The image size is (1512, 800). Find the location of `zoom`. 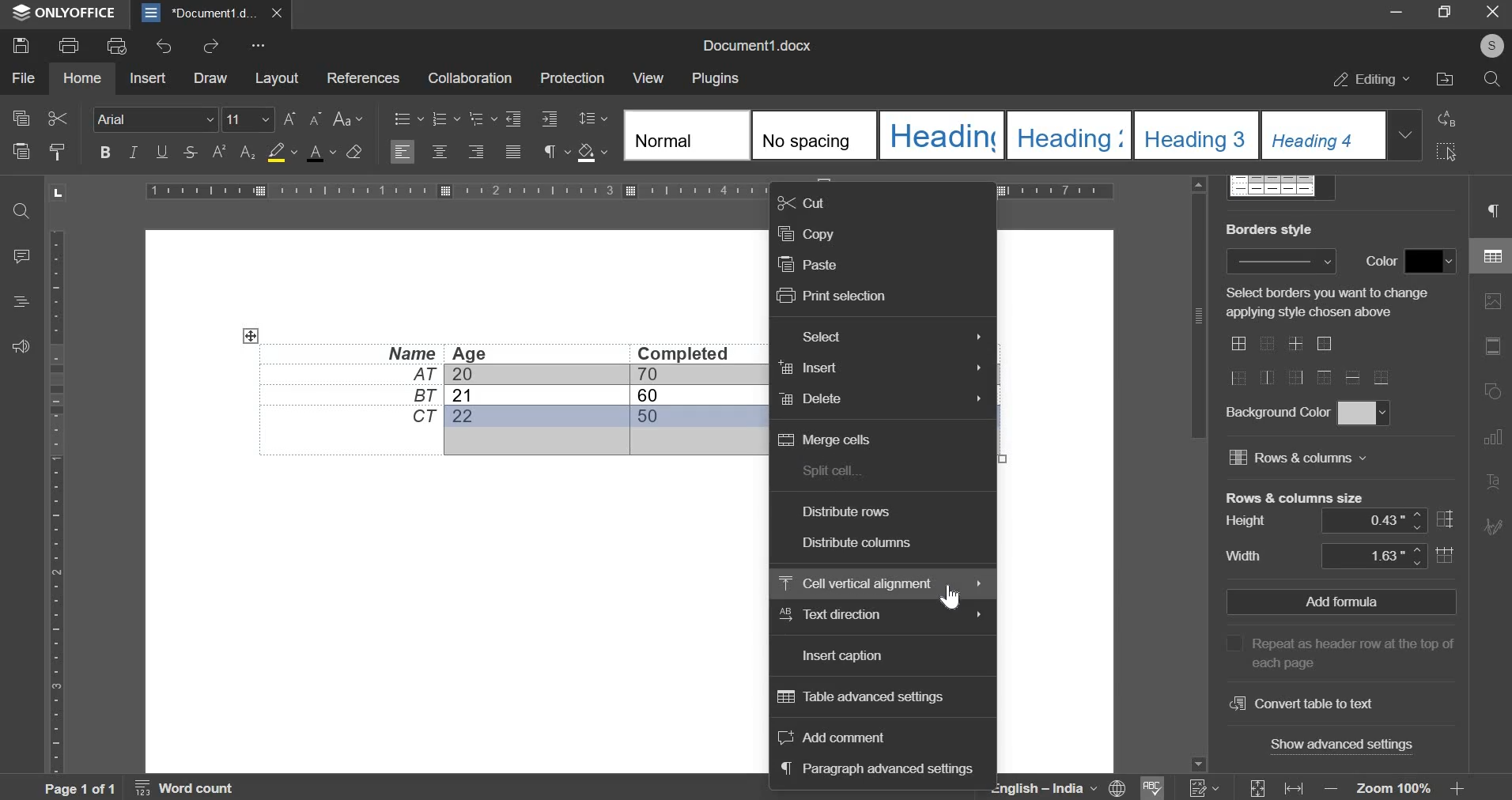

zoom is located at coordinates (1397, 787).